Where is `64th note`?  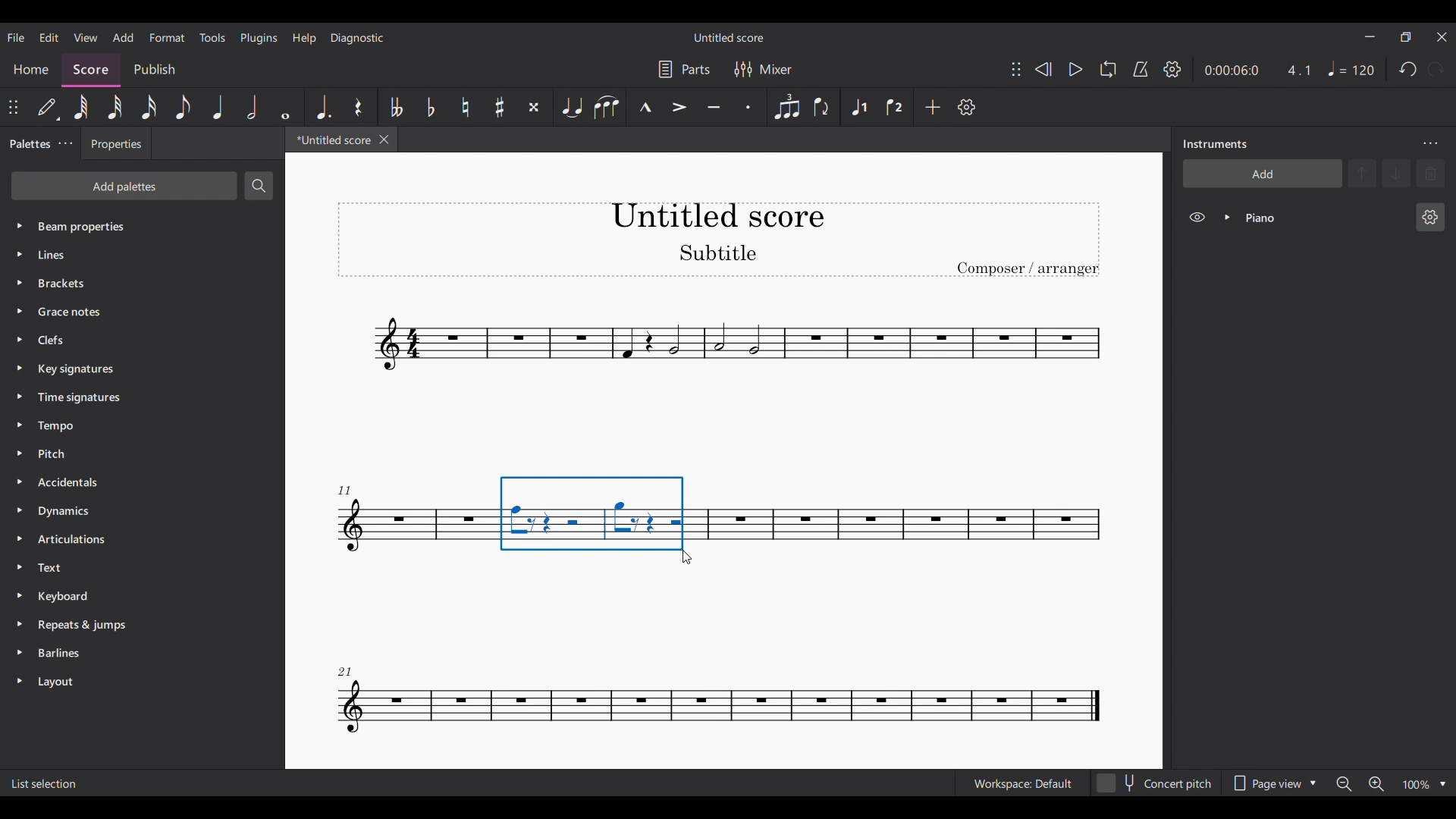 64th note is located at coordinates (81, 107).